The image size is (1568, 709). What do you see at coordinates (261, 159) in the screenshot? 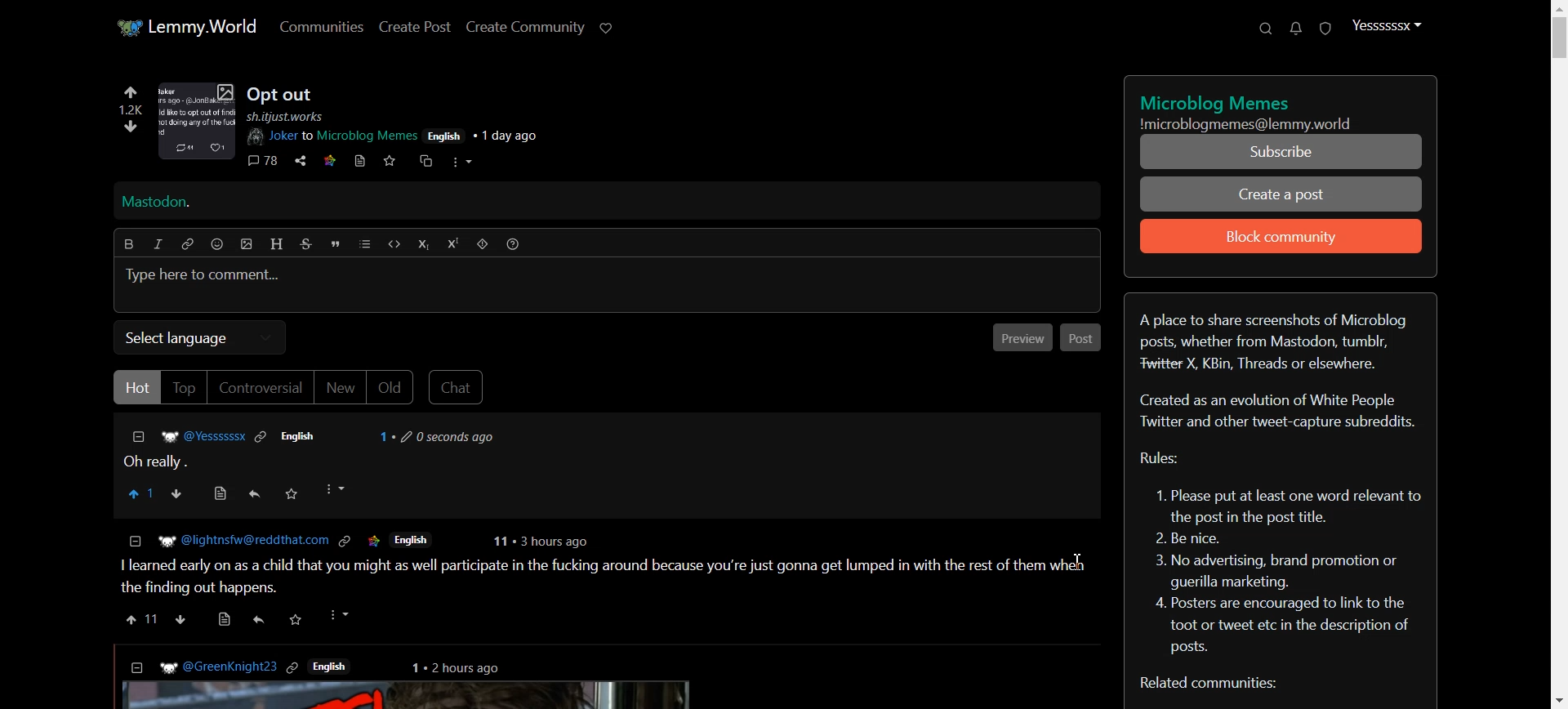
I see `comments` at bounding box center [261, 159].